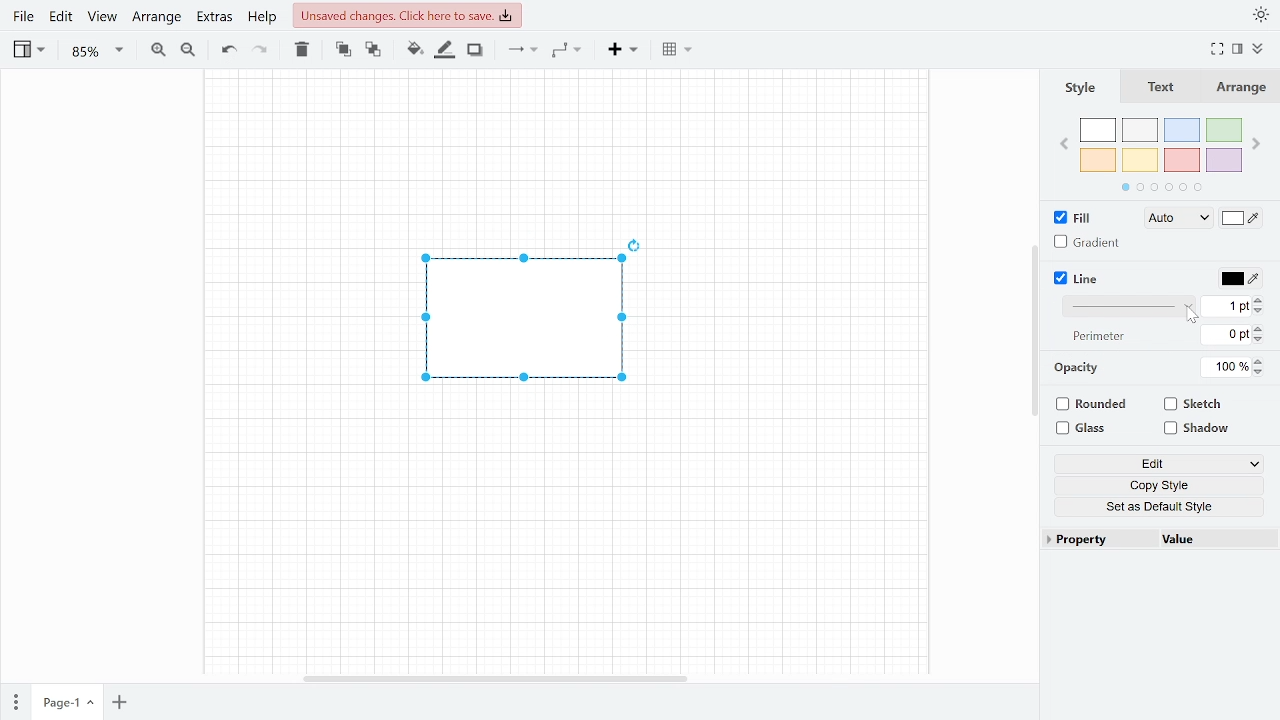  I want to click on Increase perimeter, so click(1261, 327).